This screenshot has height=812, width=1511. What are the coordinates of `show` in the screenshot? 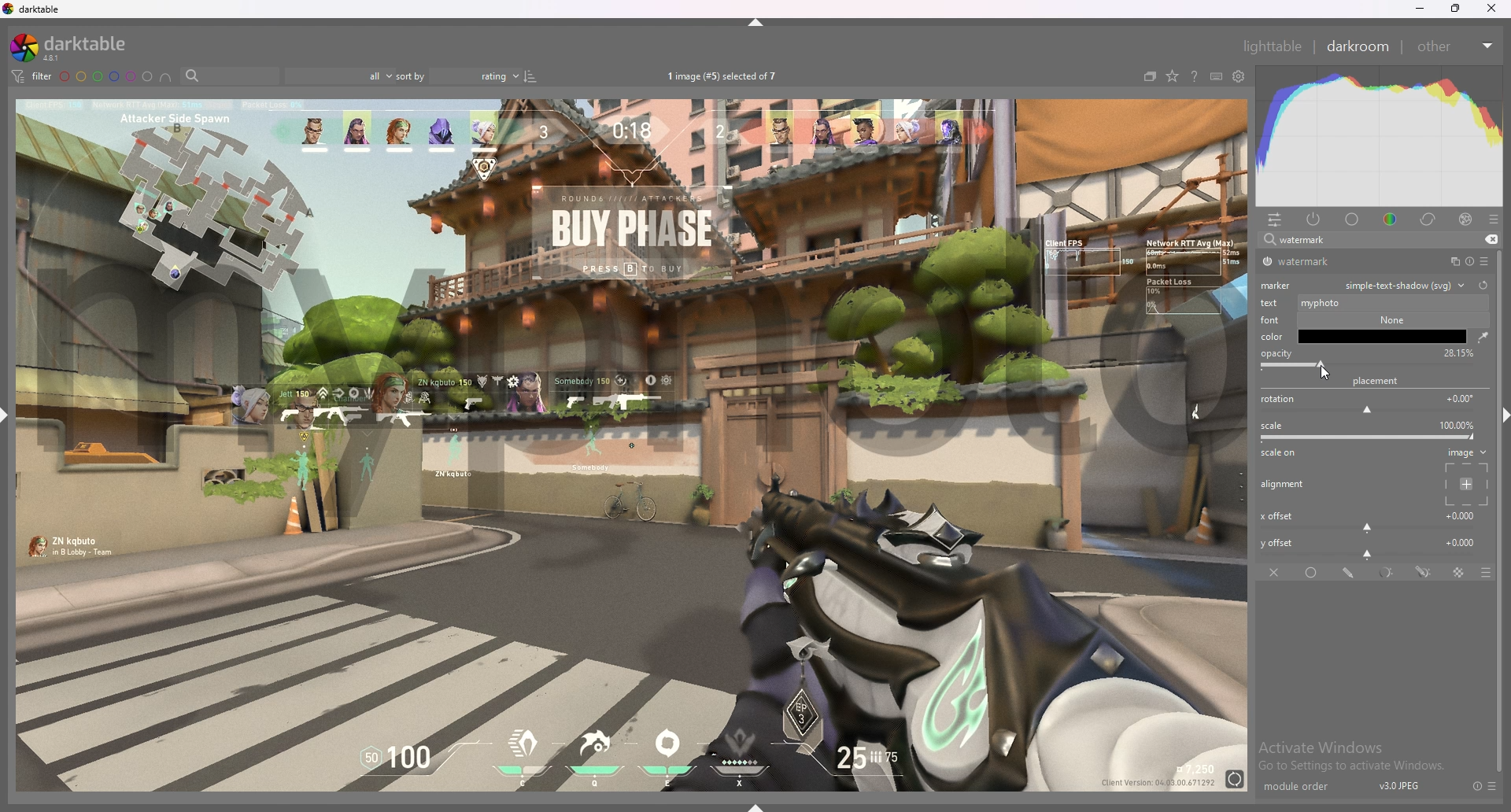 It's located at (762, 803).